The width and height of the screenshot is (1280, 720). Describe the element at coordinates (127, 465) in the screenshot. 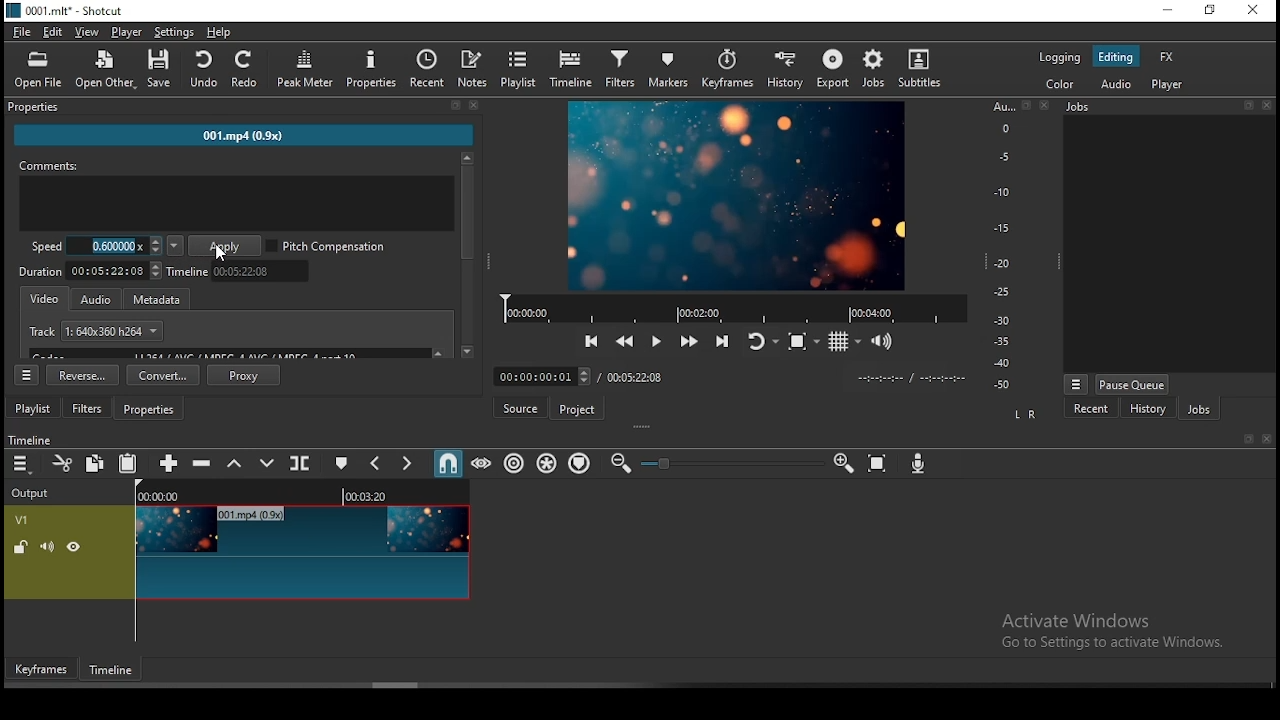

I see `paste` at that location.